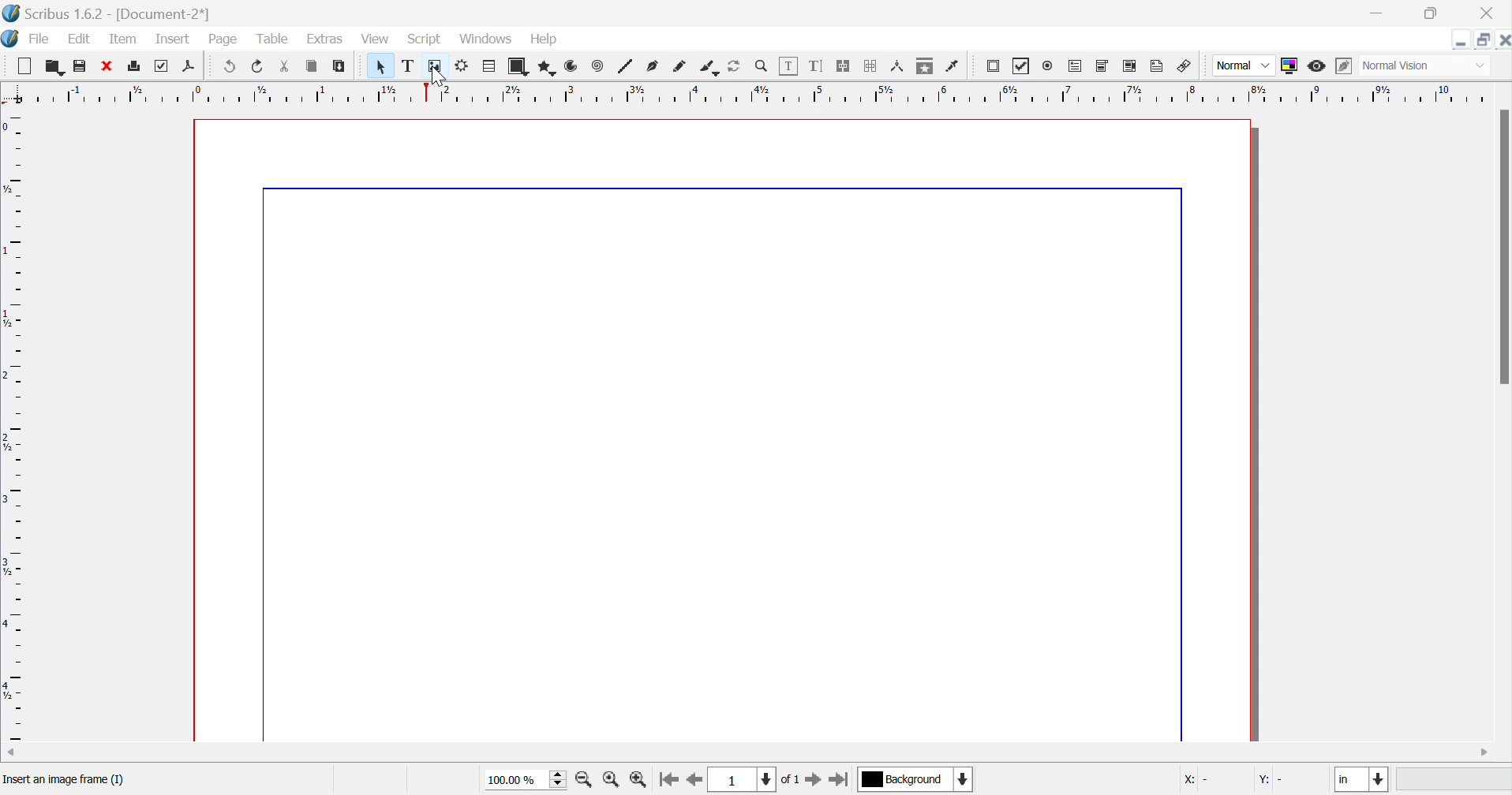  I want to click on go to first page, so click(670, 779).